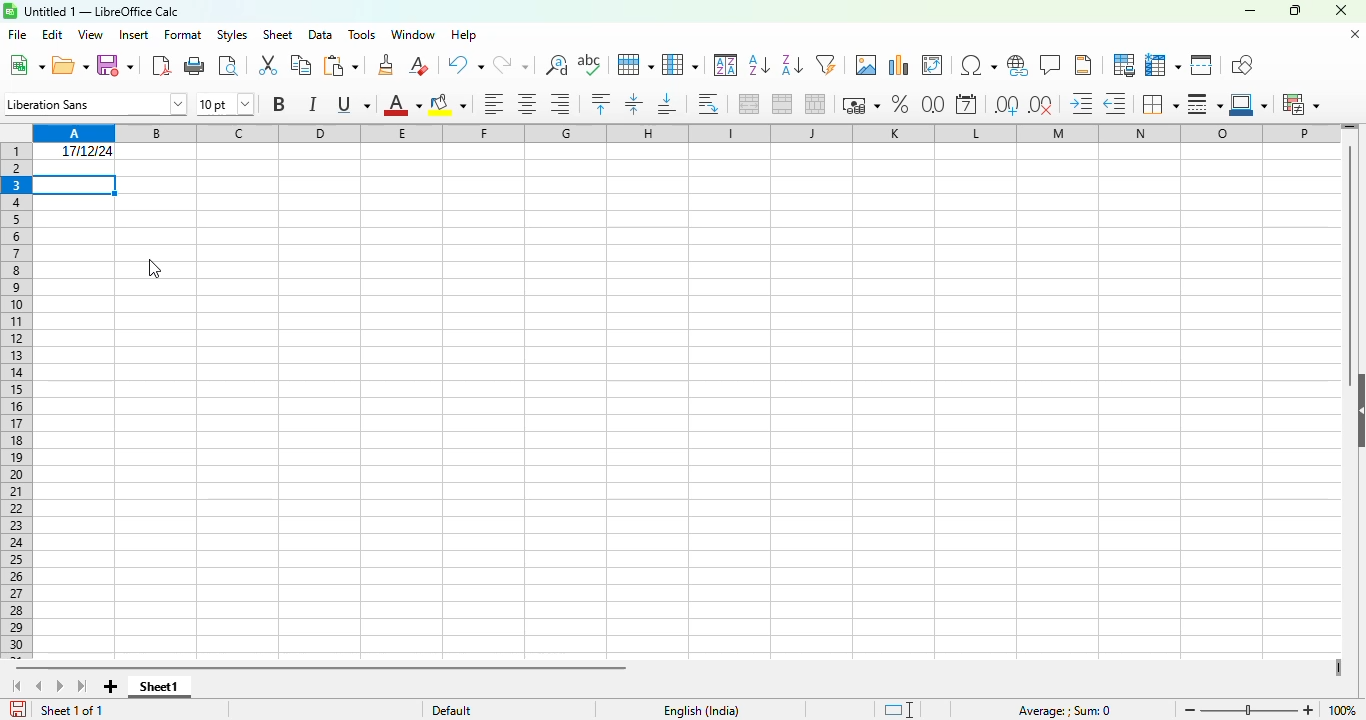 This screenshot has height=720, width=1366. I want to click on border style, so click(1205, 105).